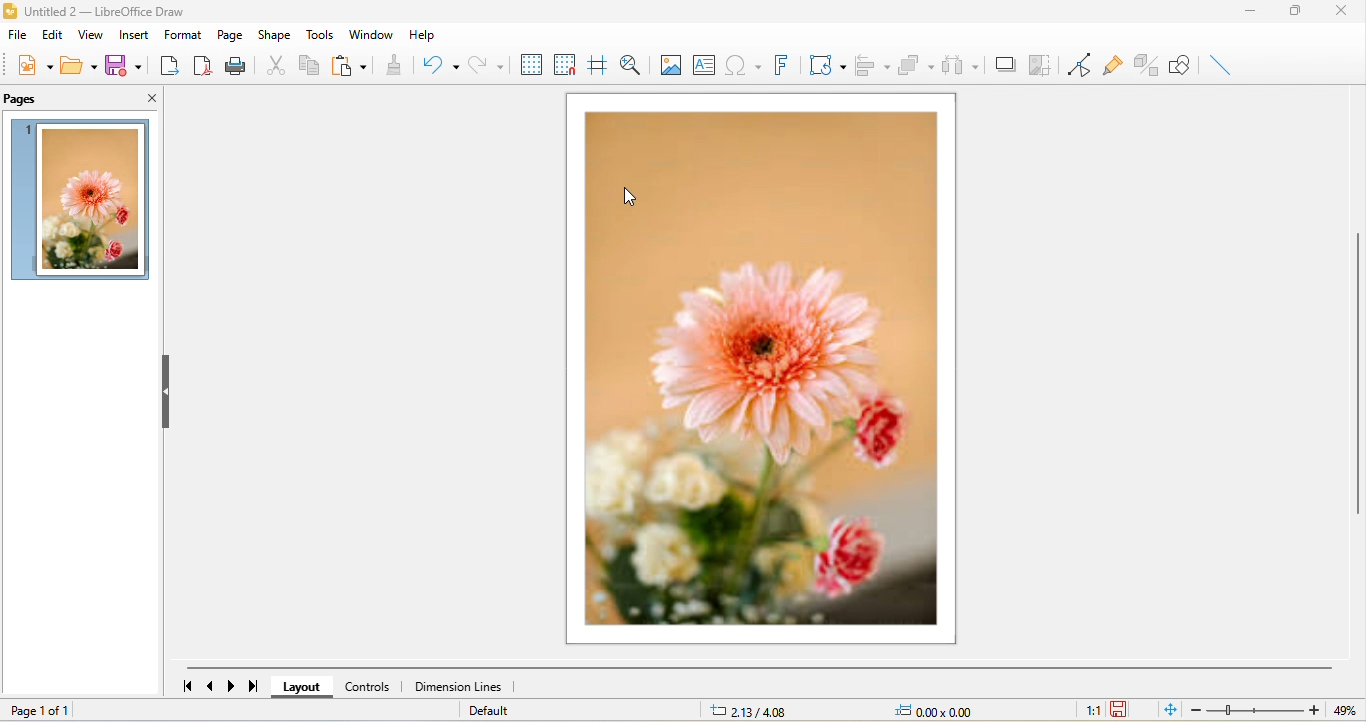 This screenshot has width=1366, height=722. What do you see at coordinates (1121, 709) in the screenshot?
I see `the document has not been modified since the last save` at bounding box center [1121, 709].